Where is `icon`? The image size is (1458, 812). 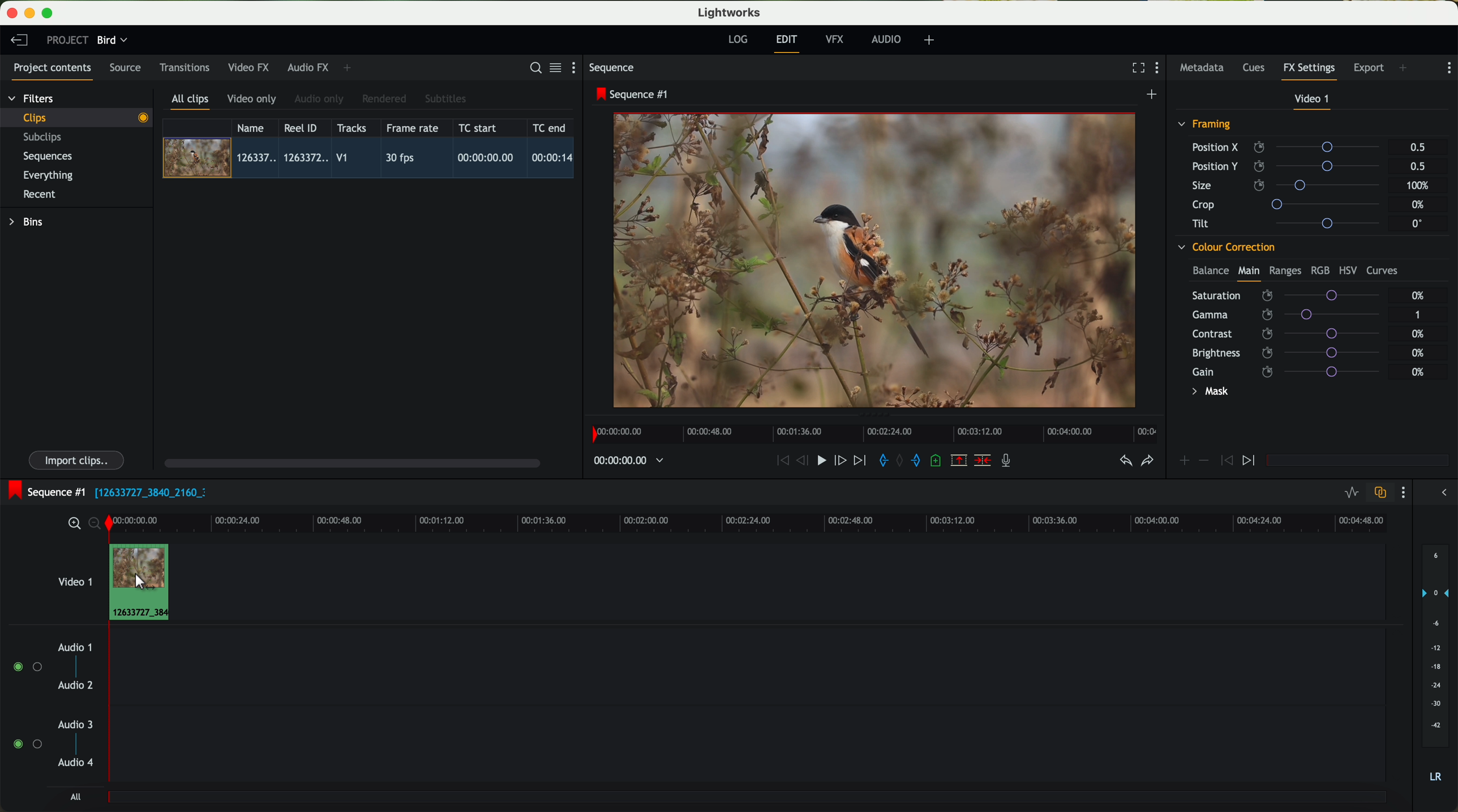
icon is located at coordinates (1250, 461).